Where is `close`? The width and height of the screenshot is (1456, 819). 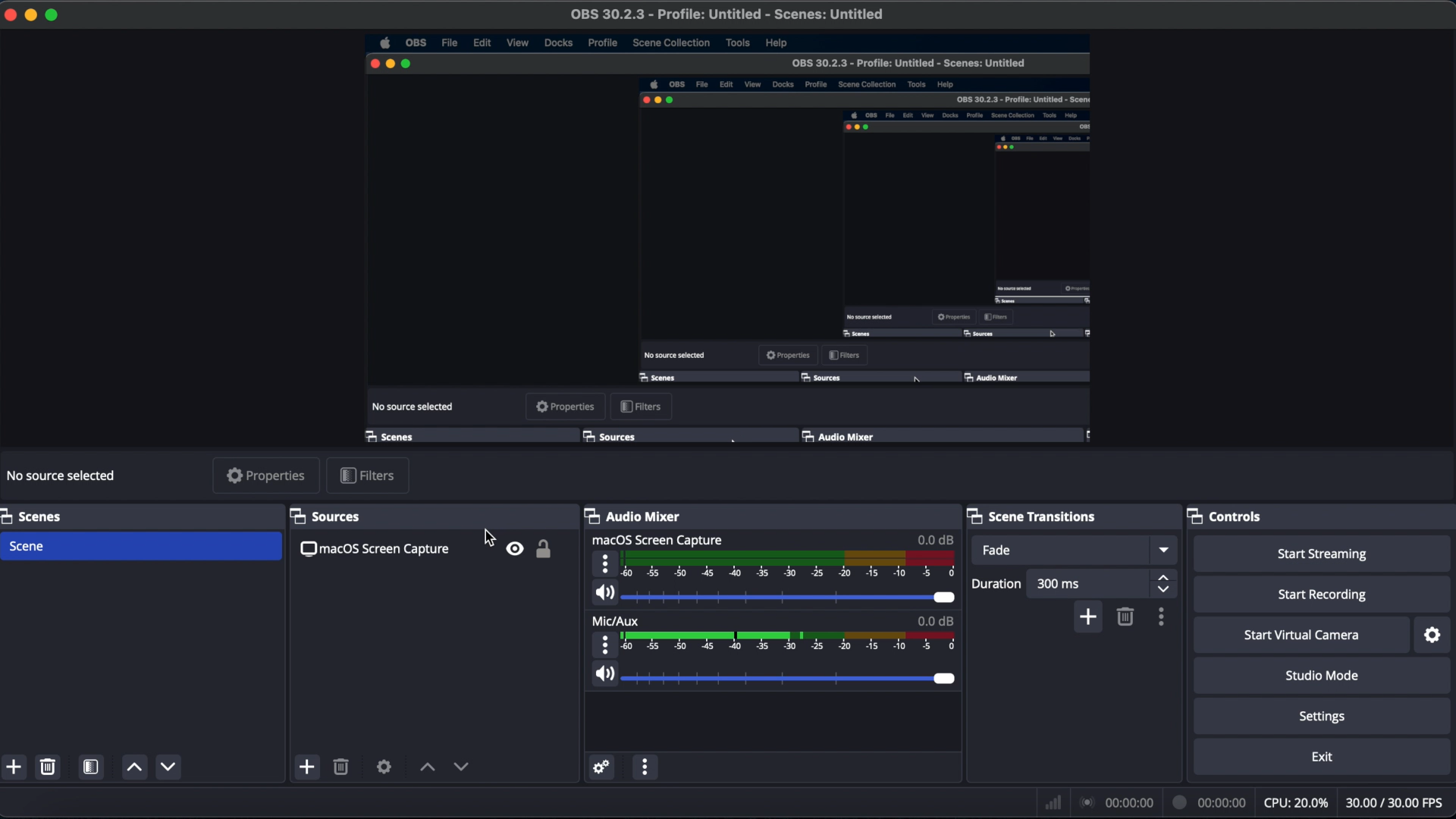
close is located at coordinates (9, 15).